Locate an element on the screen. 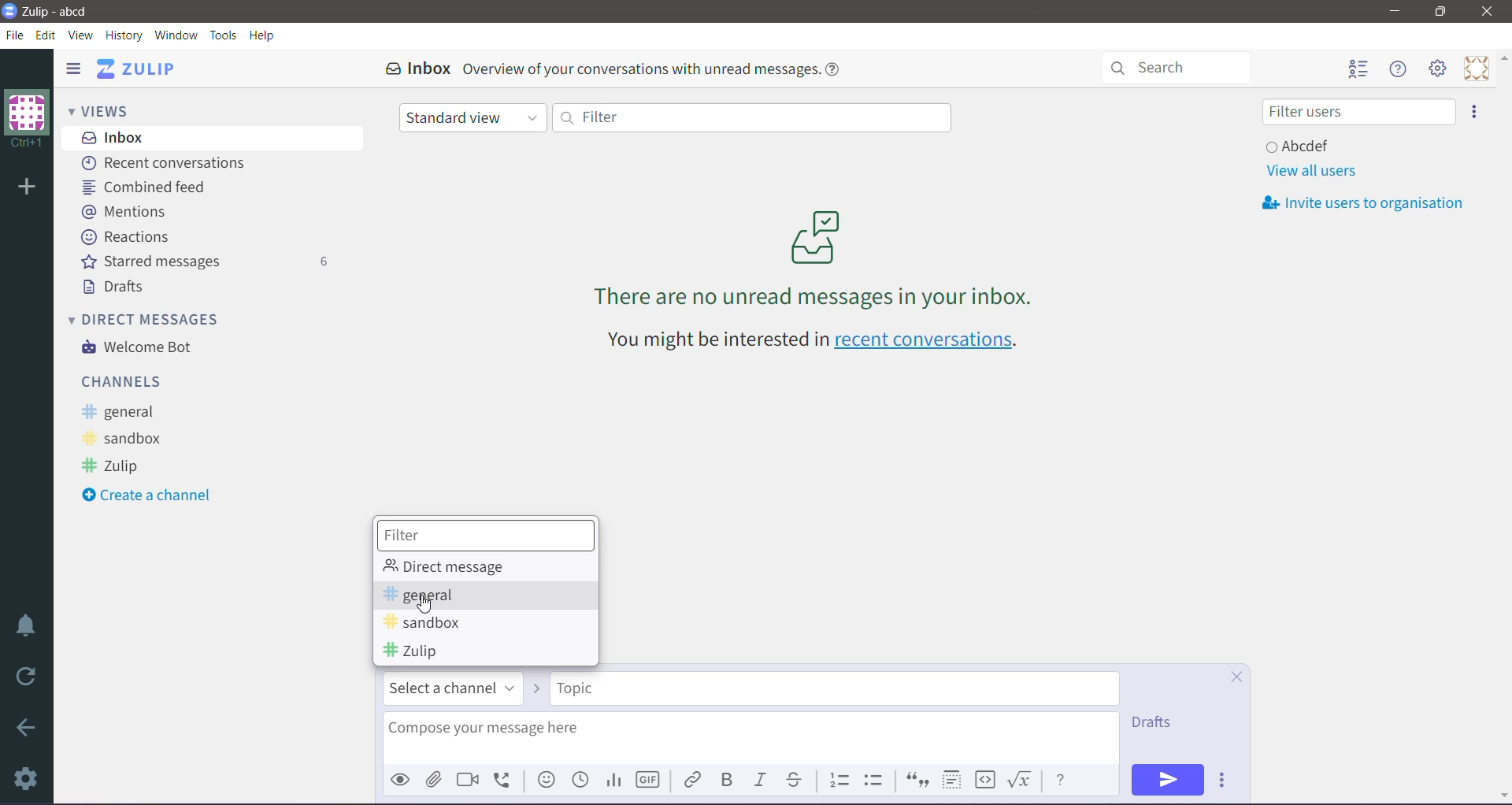 The image size is (1512, 805). Add Poll is located at coordinates (613, 780).